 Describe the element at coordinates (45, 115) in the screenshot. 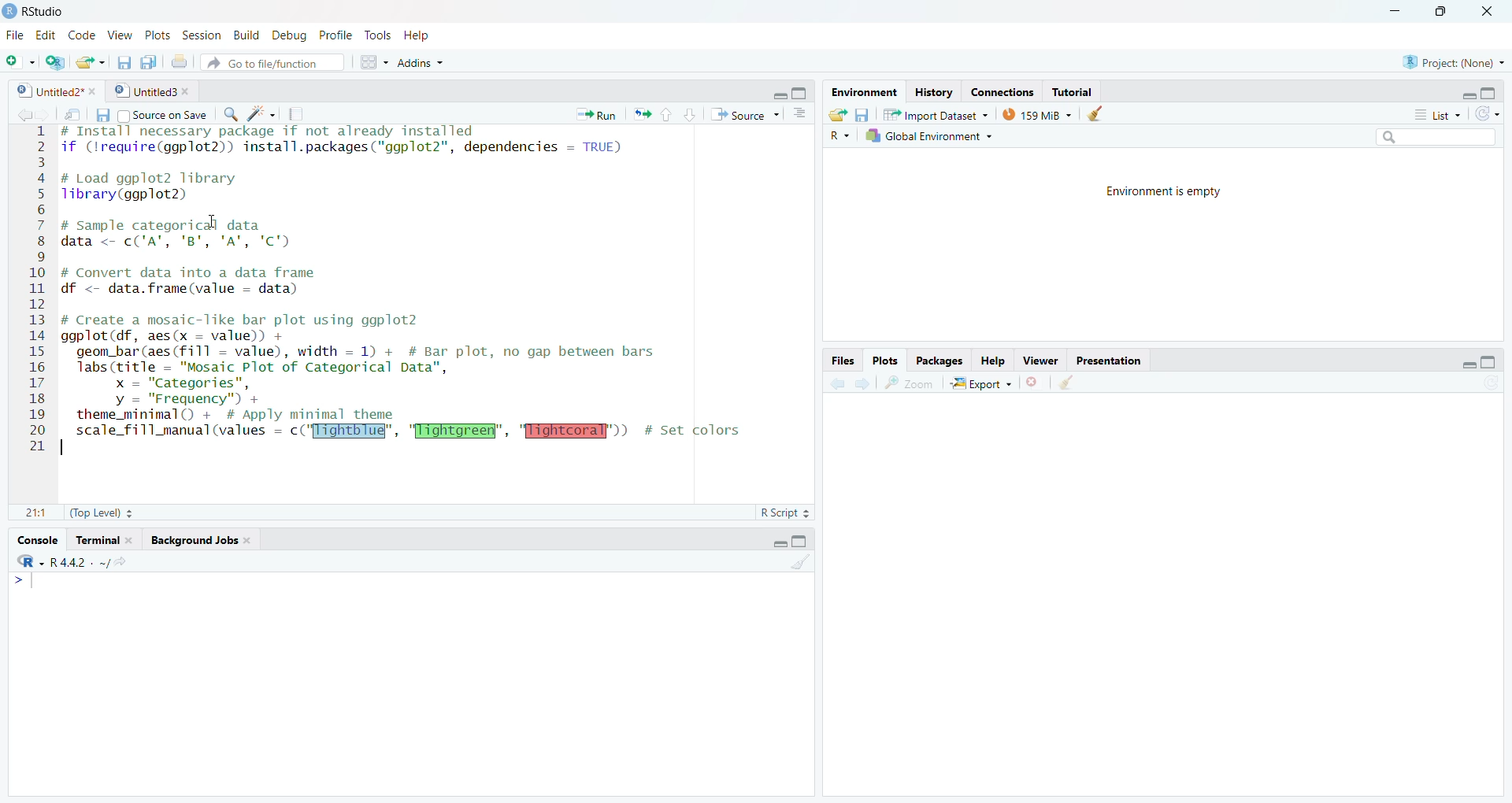

I see `Next` at that location.